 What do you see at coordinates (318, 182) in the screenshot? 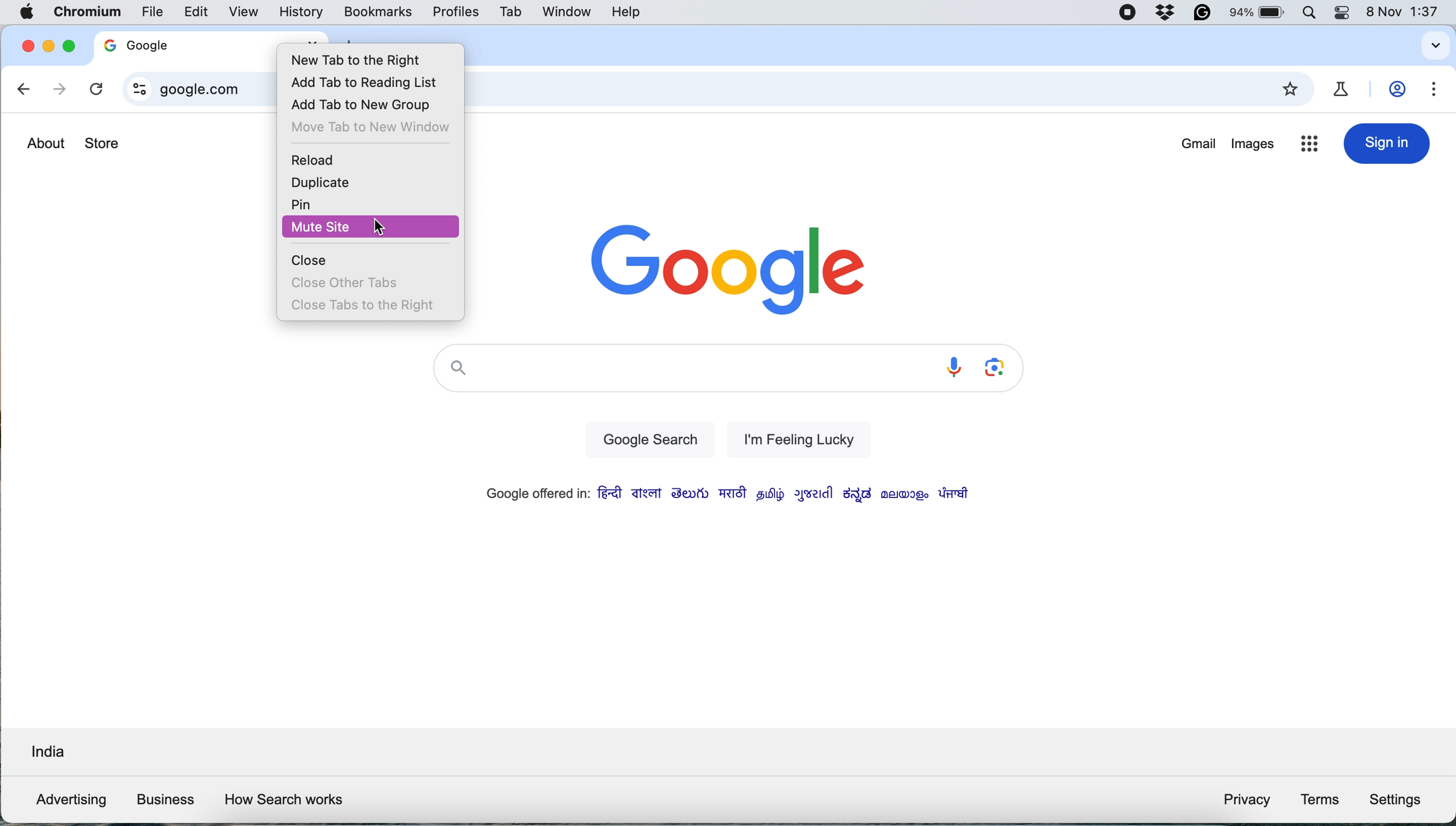
I see `duplicate` at bounding box center [318, 182].